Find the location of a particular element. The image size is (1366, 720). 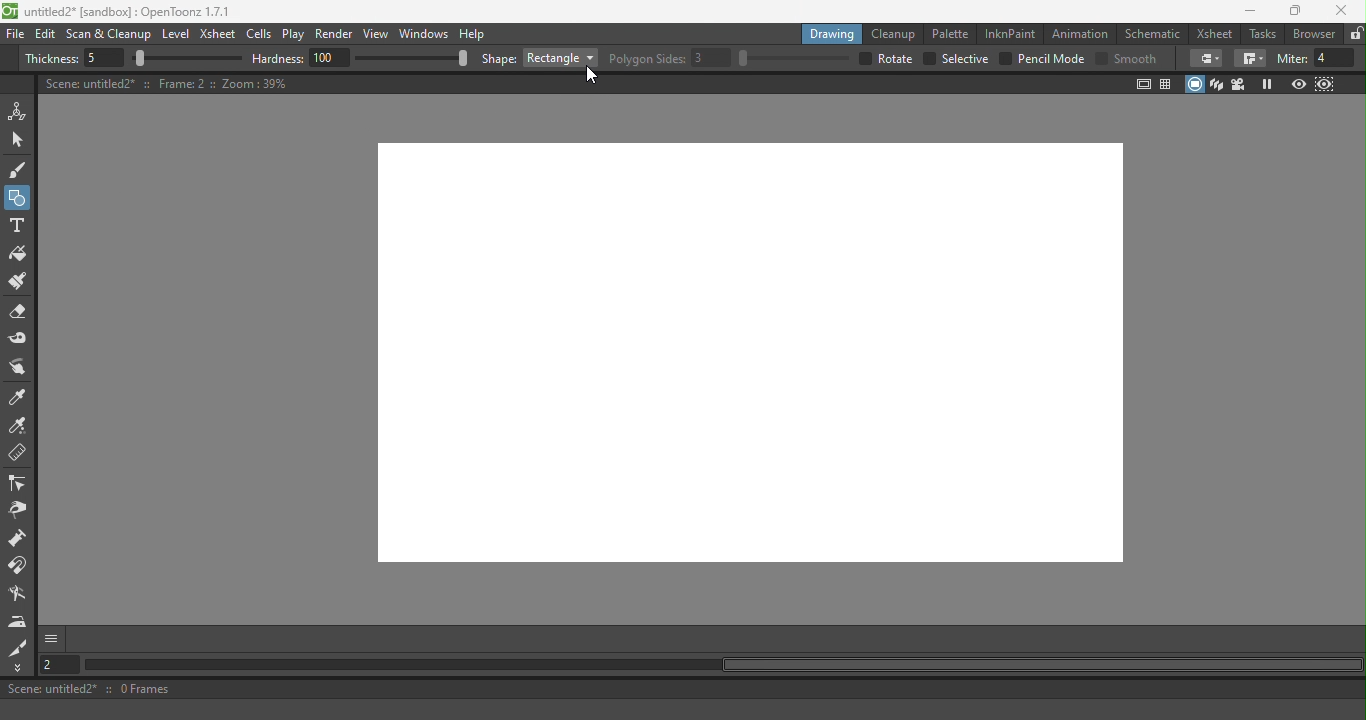

Shape is located at coordinates (540, 56).